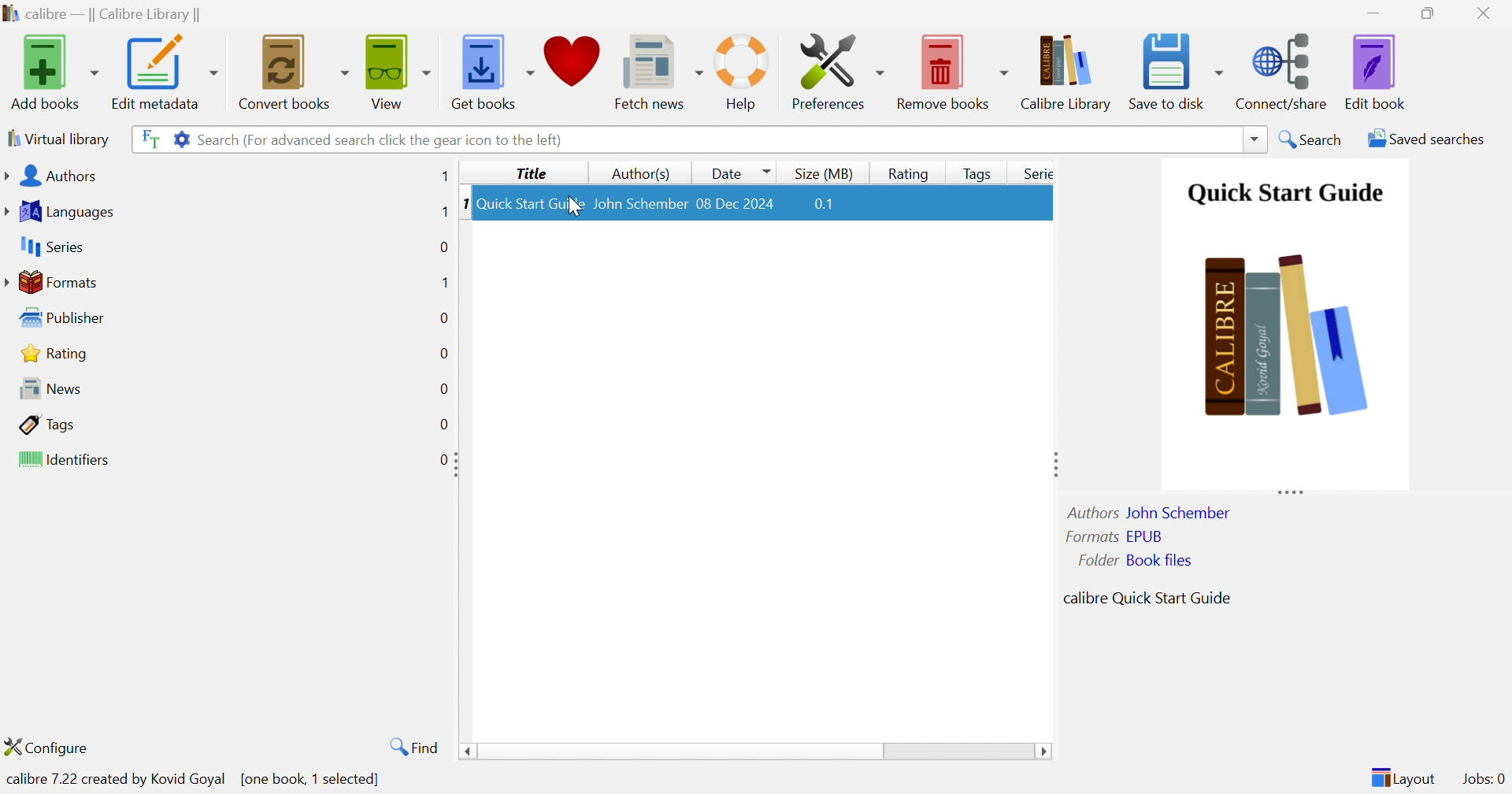 The image size is (1512, 794). Describe the element at coordinates (1044, 752) in the screenshot. I see `Scroll Right` at that location.